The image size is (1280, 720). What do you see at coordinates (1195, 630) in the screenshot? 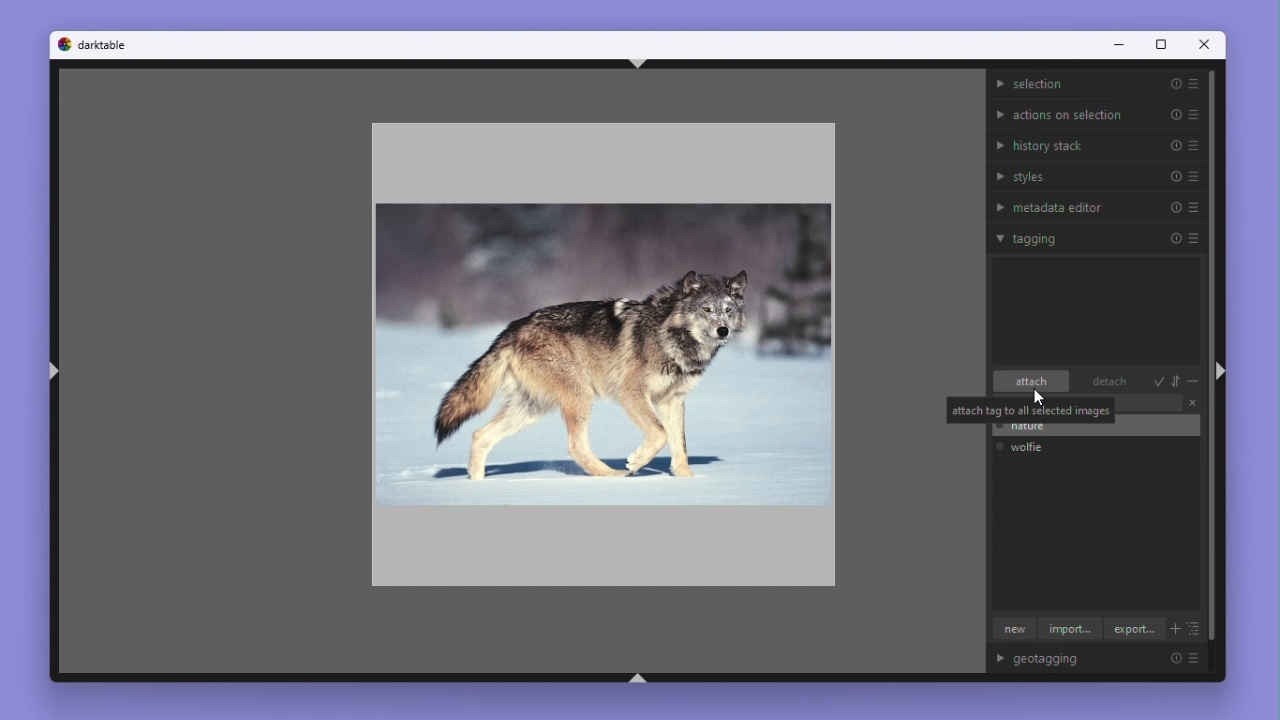
I see `list` at bounding box center [1195, 630].